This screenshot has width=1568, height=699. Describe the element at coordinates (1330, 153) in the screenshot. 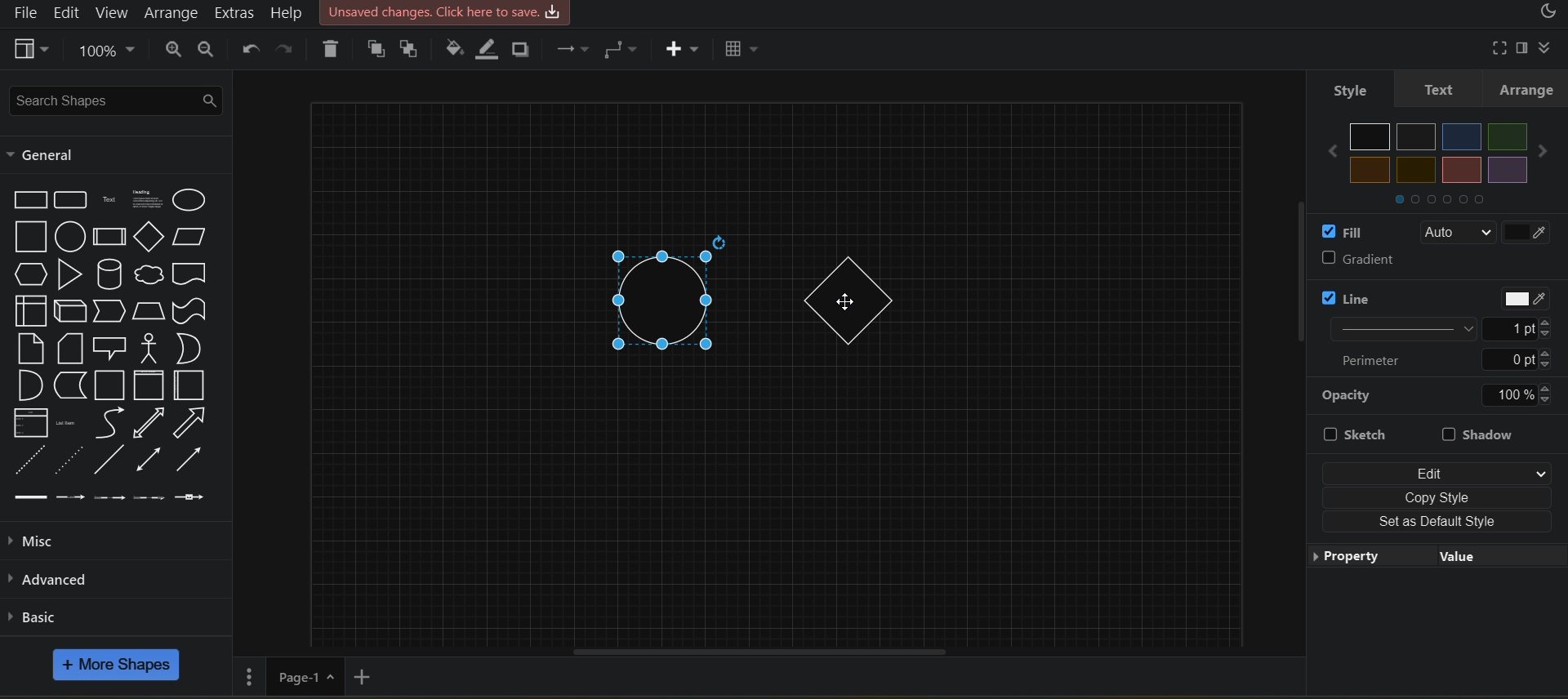

I see `` at that location.